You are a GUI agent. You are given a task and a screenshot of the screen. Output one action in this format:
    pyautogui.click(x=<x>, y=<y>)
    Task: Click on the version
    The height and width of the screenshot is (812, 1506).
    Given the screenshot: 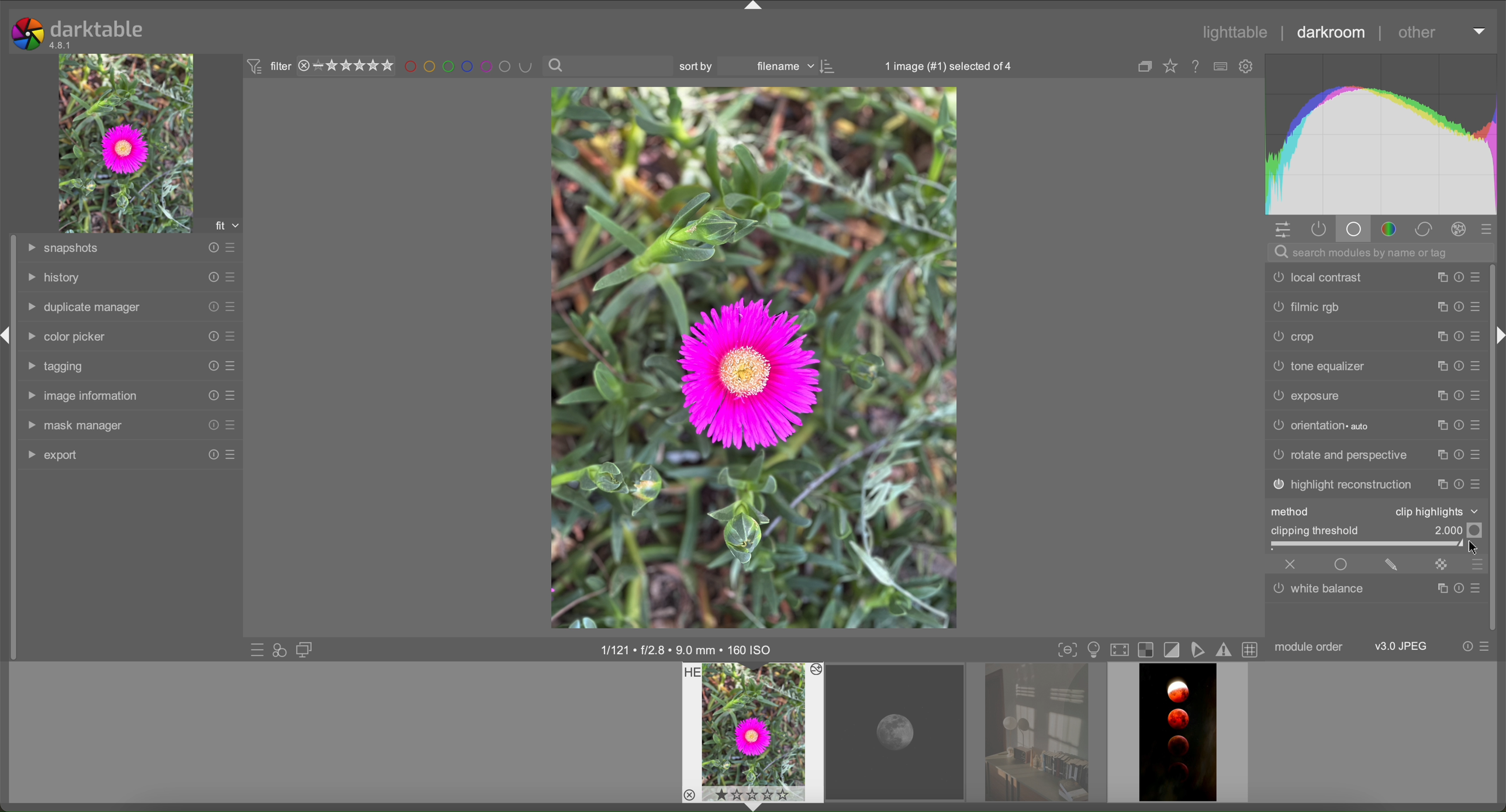 What is the action you would take?
    pyautogui.click(x=61, y=45)
    